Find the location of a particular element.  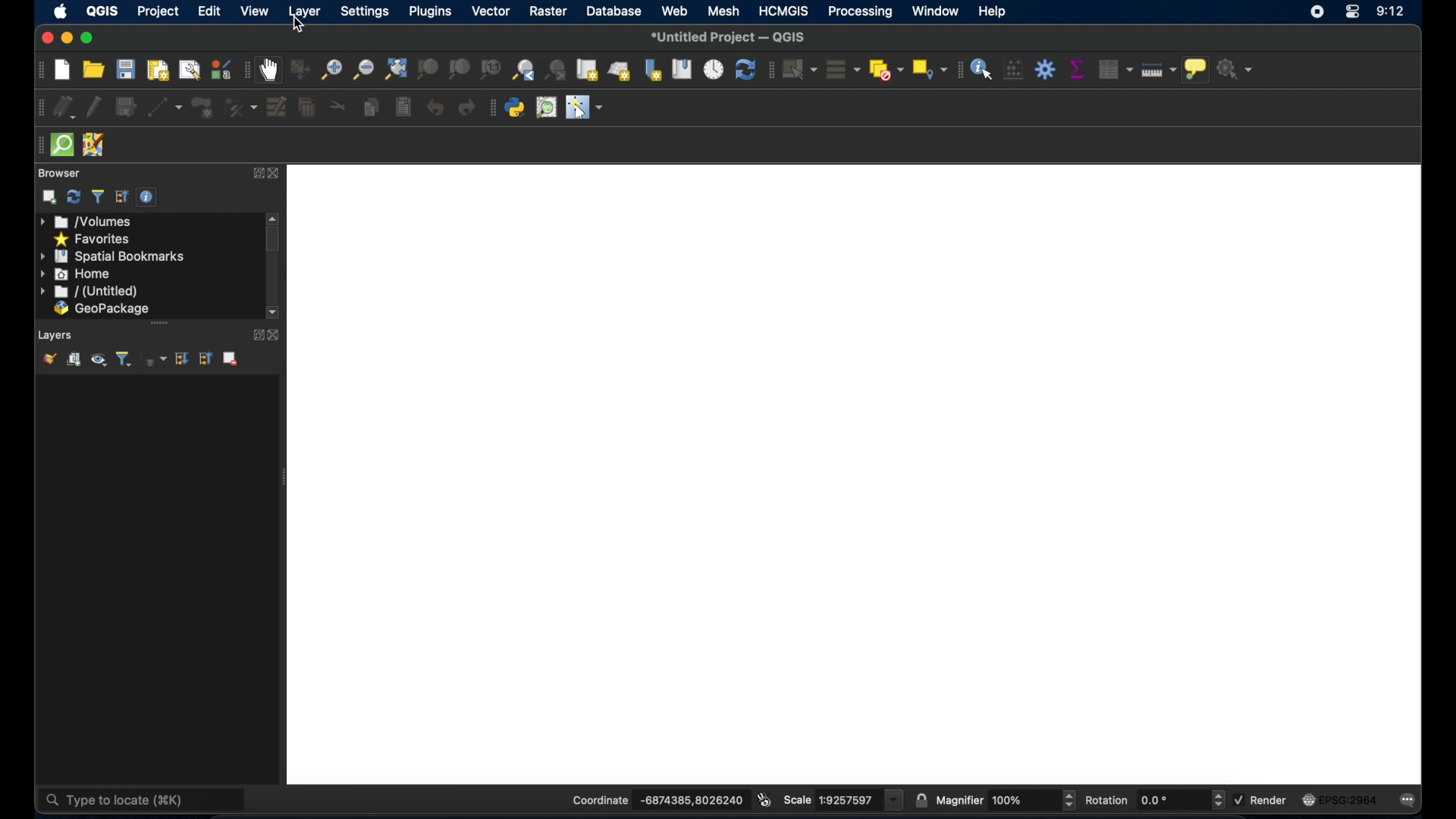

spatial bookmarks is located at coordinates (113, 256).